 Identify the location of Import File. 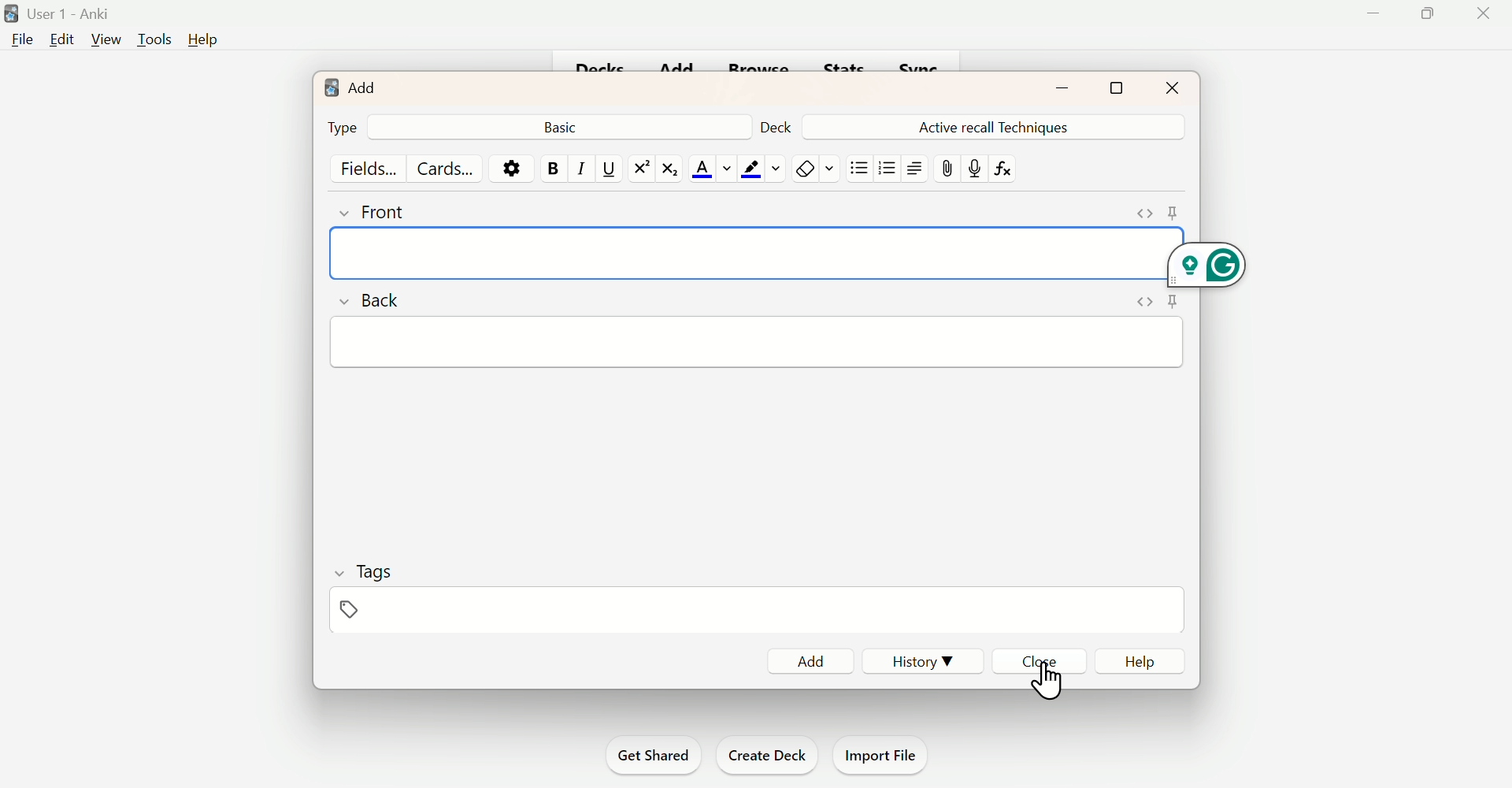
(884, 755).